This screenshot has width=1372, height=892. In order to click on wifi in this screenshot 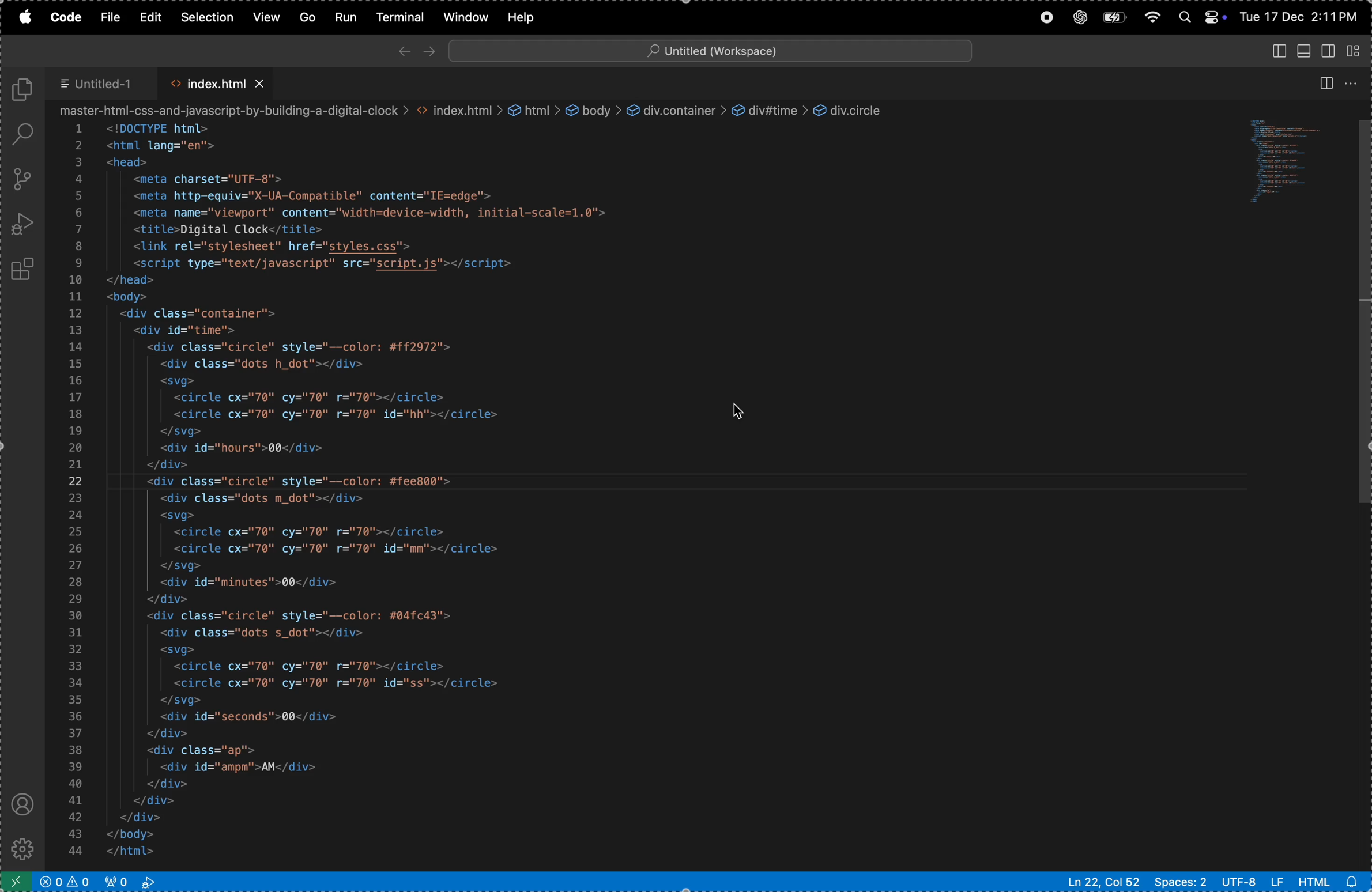, I will do `click(1150, 14)`.